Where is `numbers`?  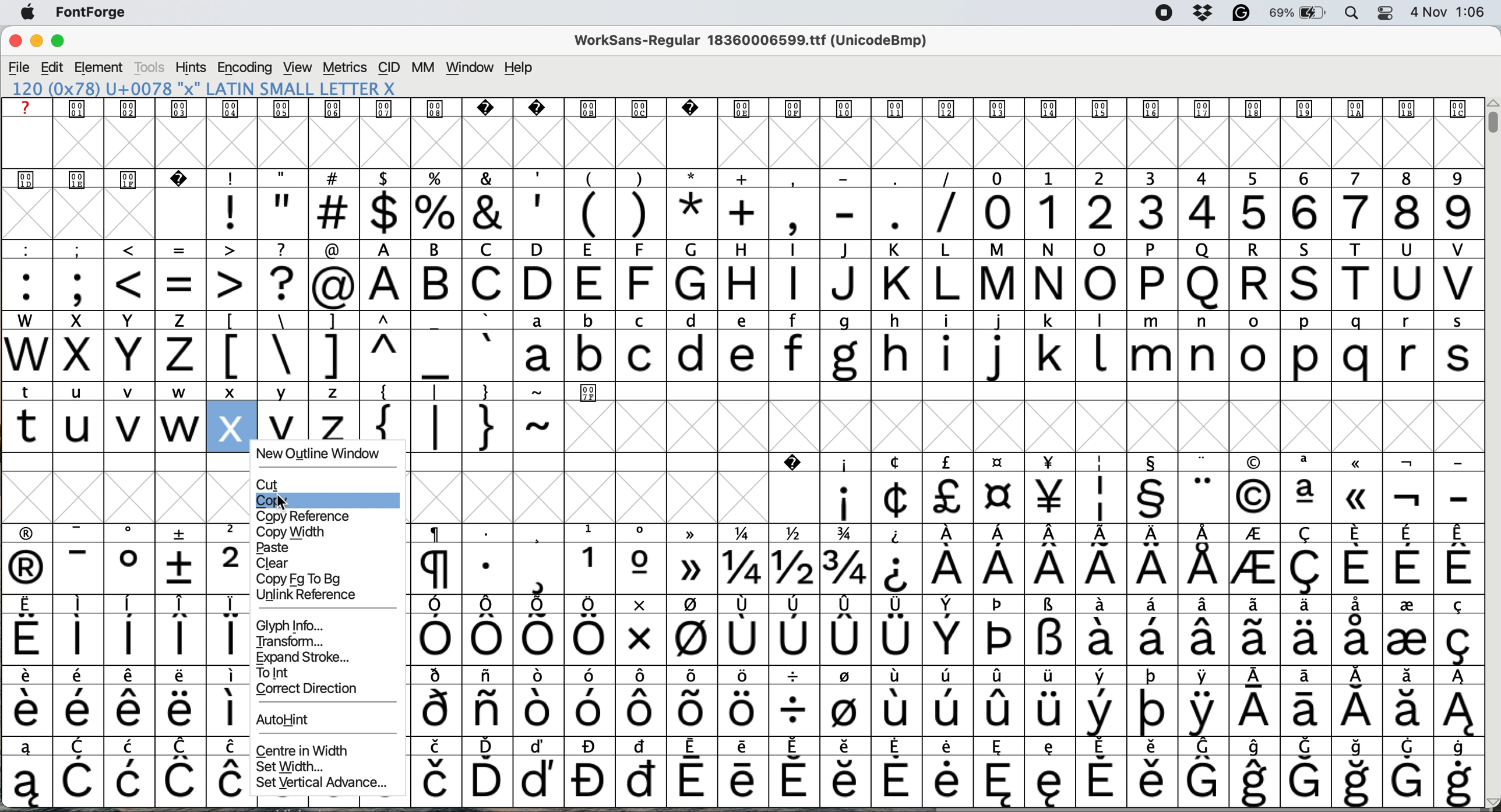 numbers is located at coordinates (1227, 211).